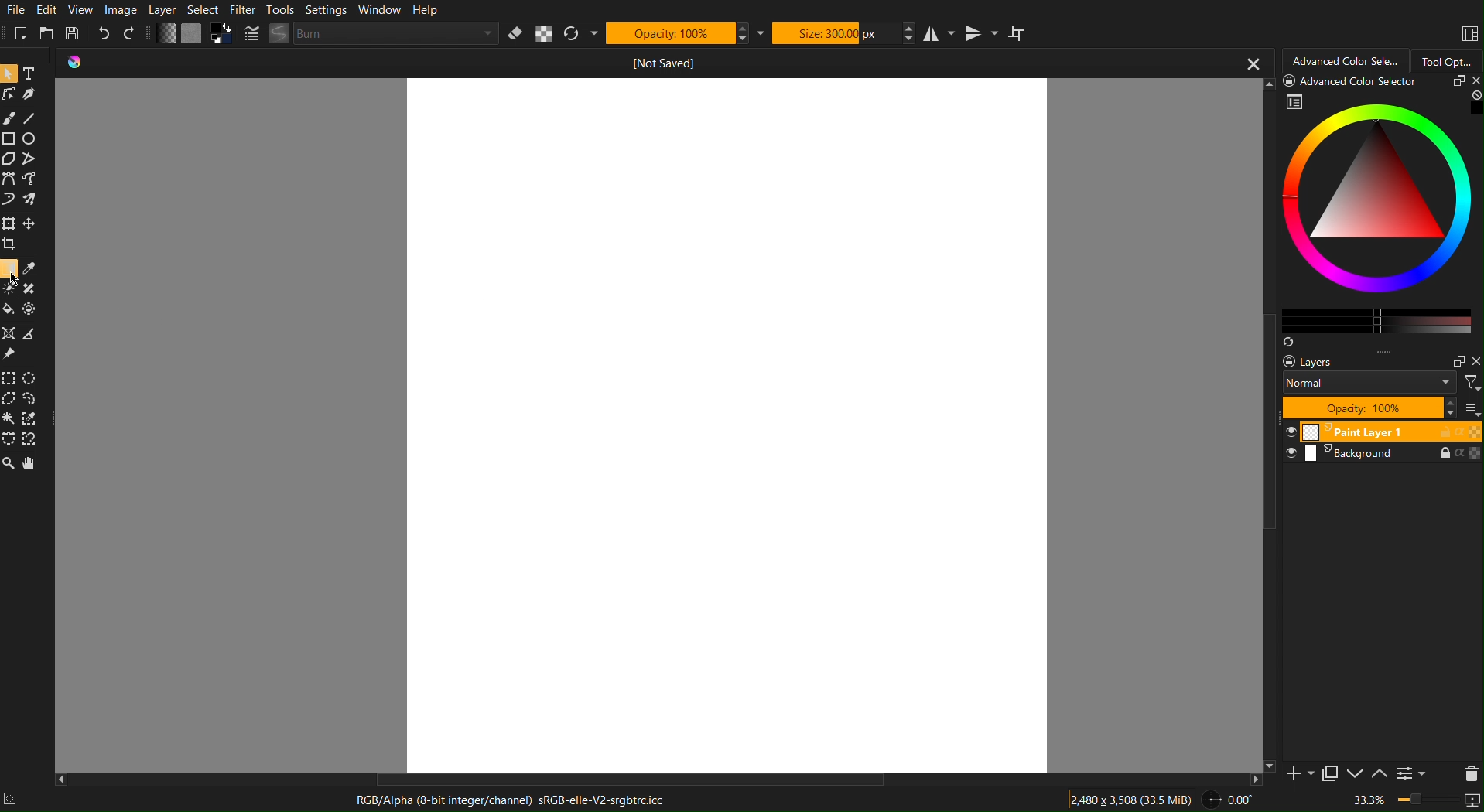 Image resolution: width=1484 pixels, height=812 pixels. Describe the element at coordinates (280, 10) in the screenshot. I see `Tools` at that location.